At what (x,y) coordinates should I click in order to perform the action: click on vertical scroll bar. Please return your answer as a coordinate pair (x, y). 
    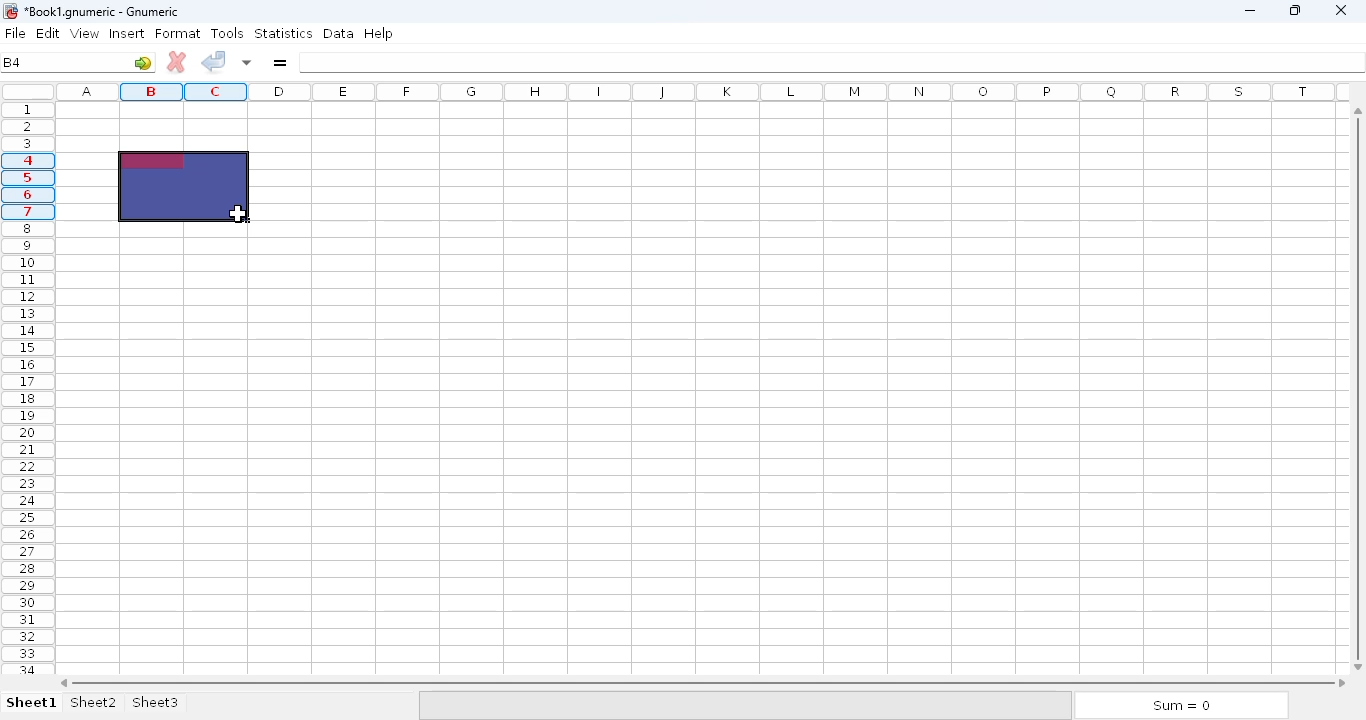
    Looking at the image, I should click on (1358, 399).